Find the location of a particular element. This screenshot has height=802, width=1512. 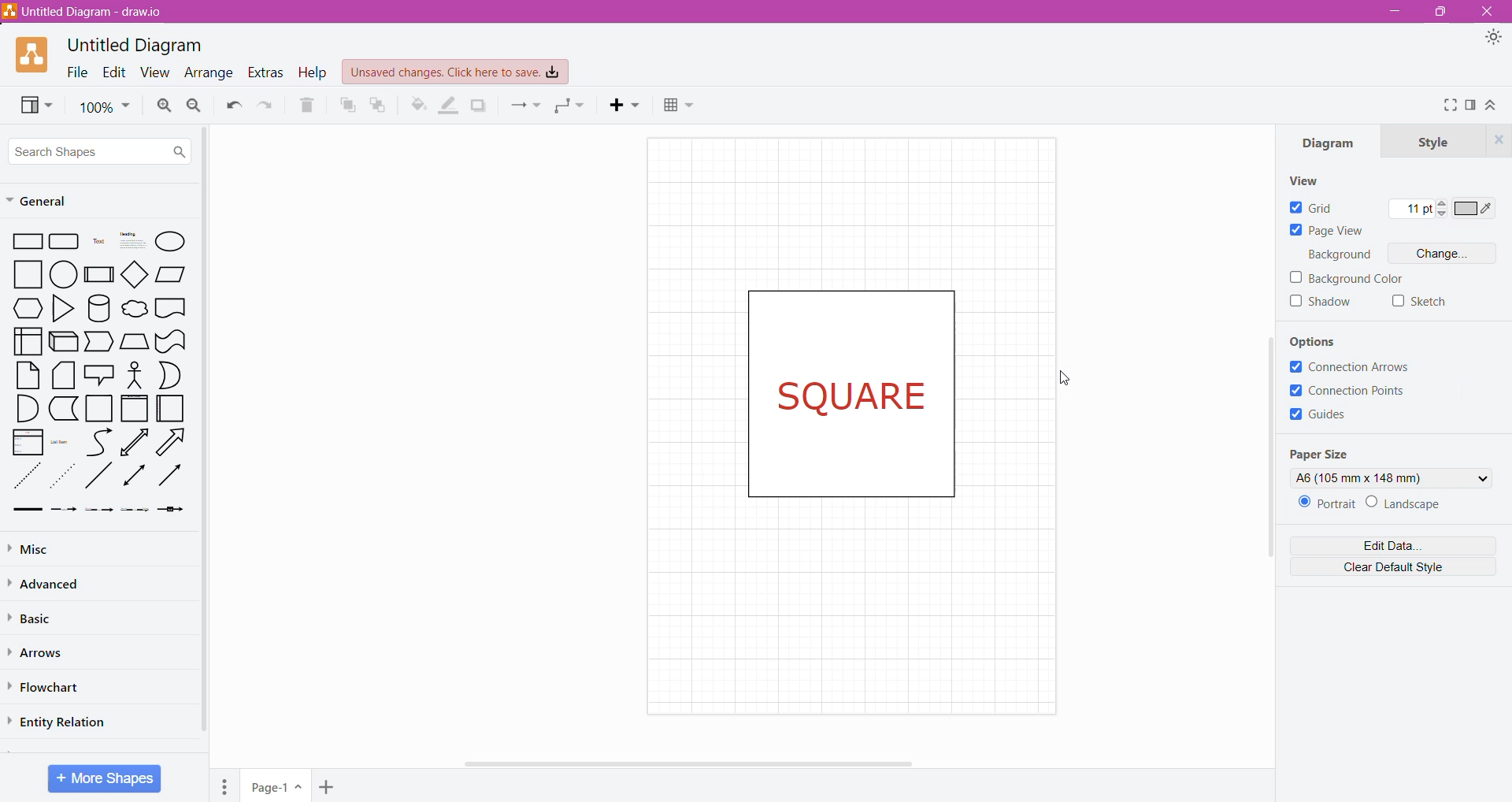

3D Rectangle is located at coordinates (63, 340).